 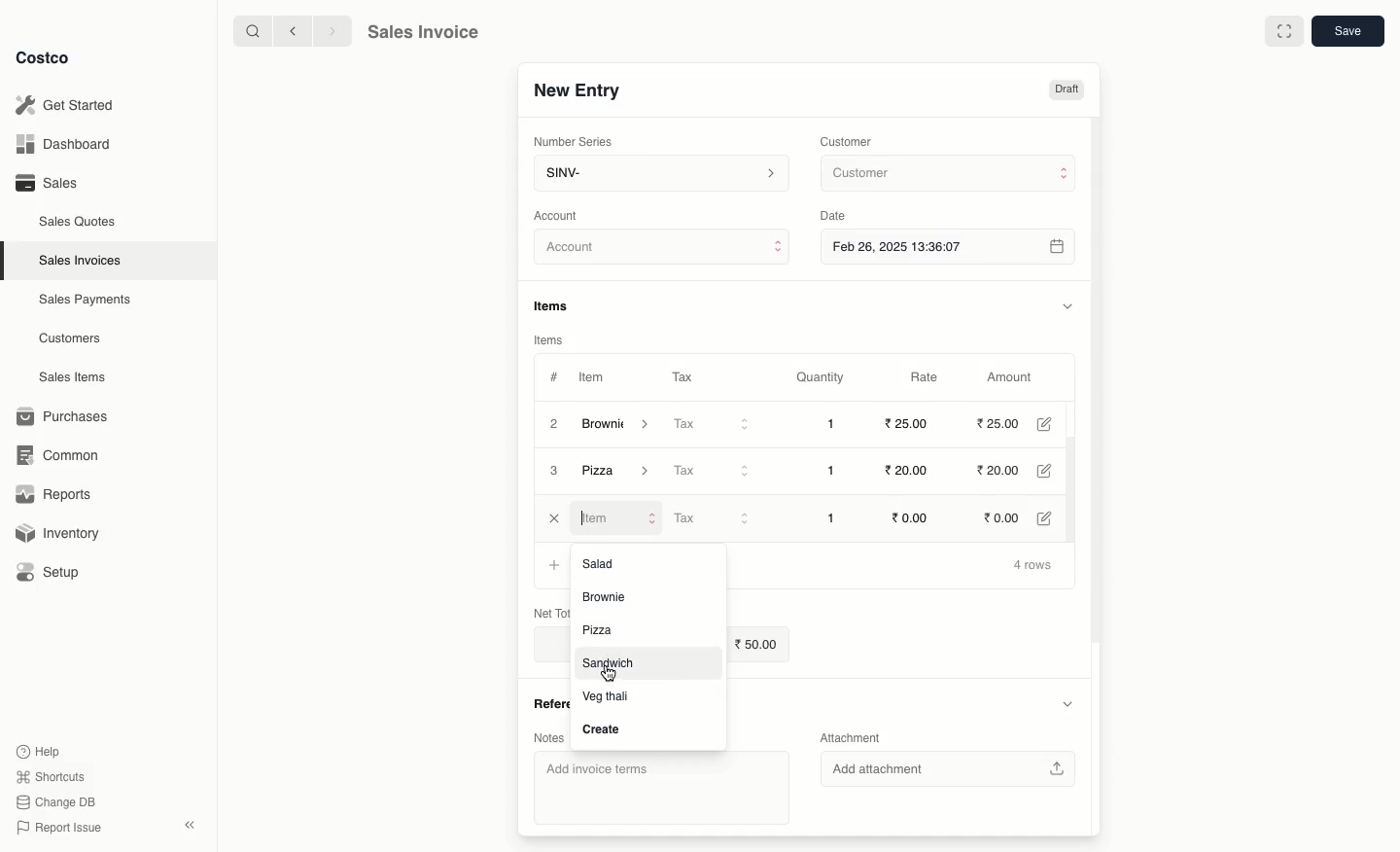 I want to click on 1, so click(x=834, y=516).